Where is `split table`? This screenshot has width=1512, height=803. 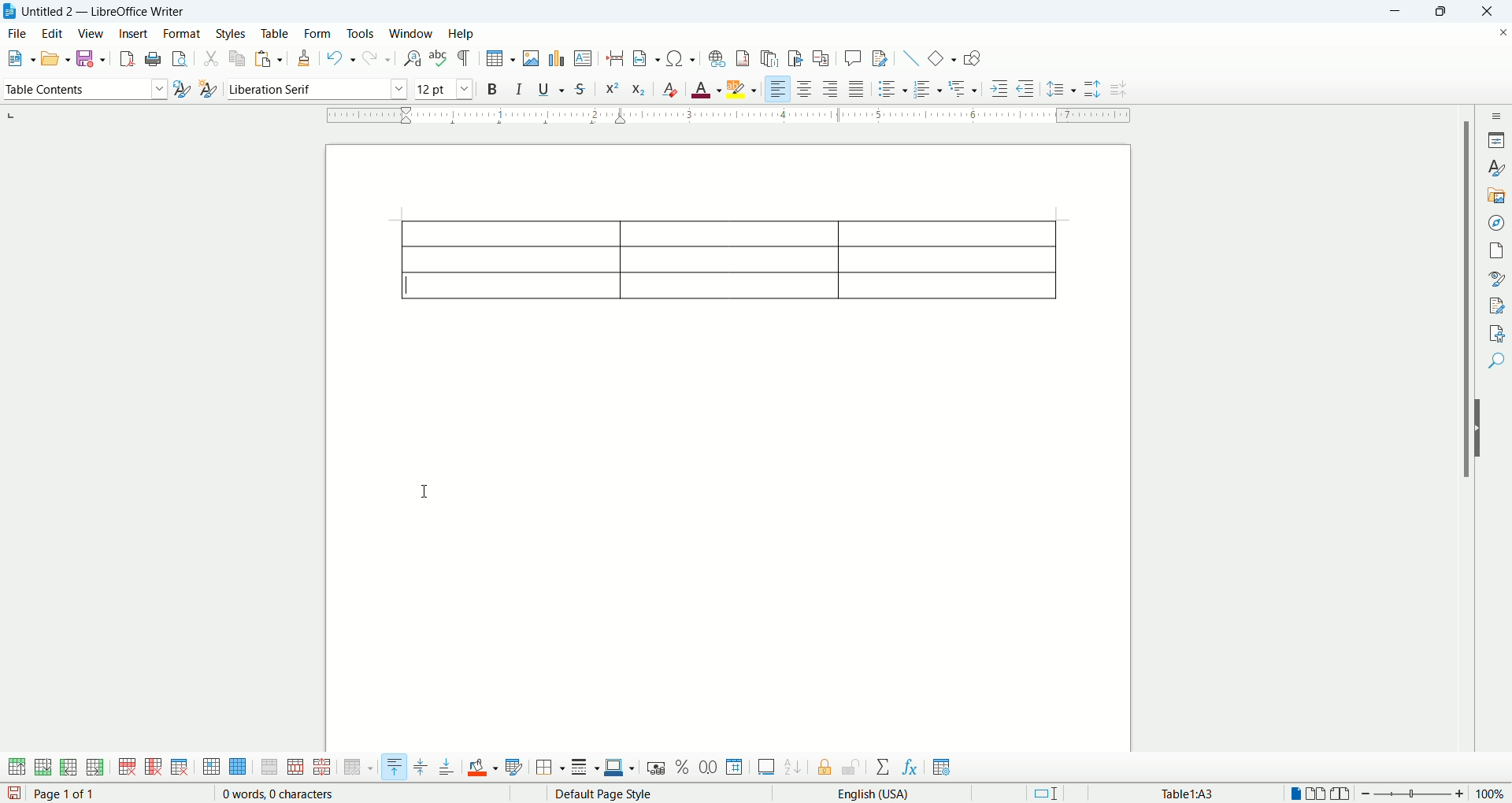
split table is located at coordinates (321, 768).